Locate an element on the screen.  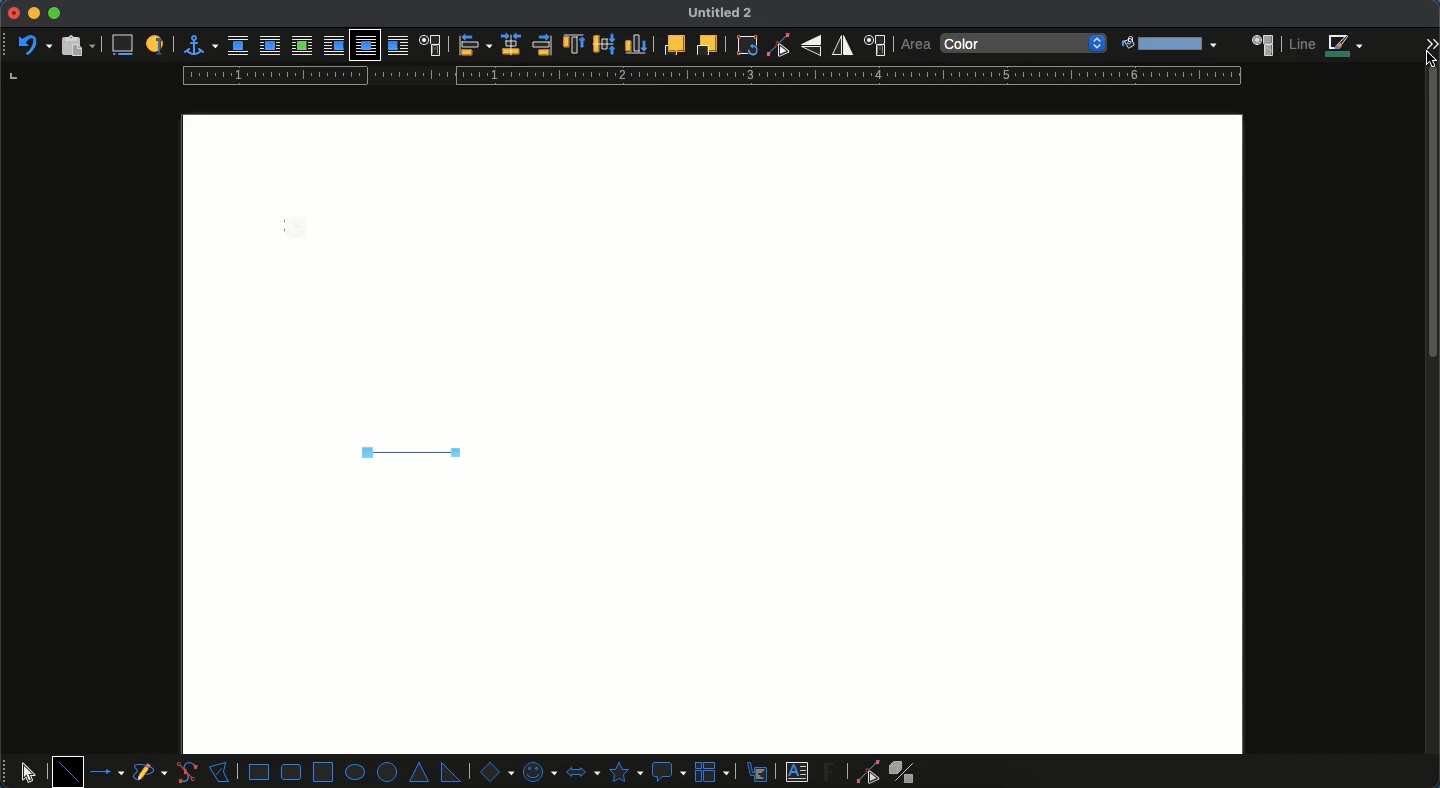
point end mode is located at coordinates (864, 772).